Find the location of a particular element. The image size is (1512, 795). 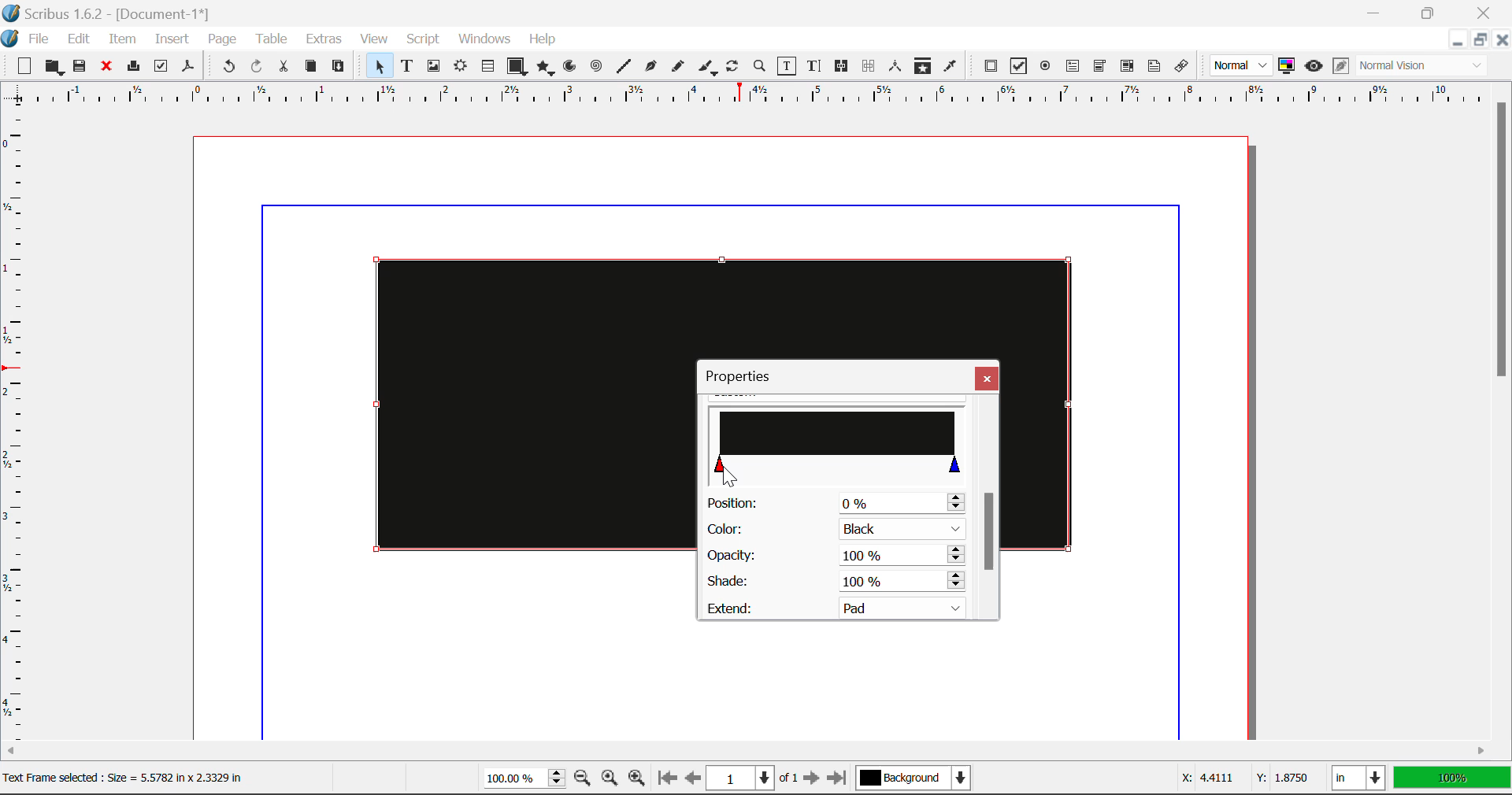

Script is located at coordinates (424, 39).